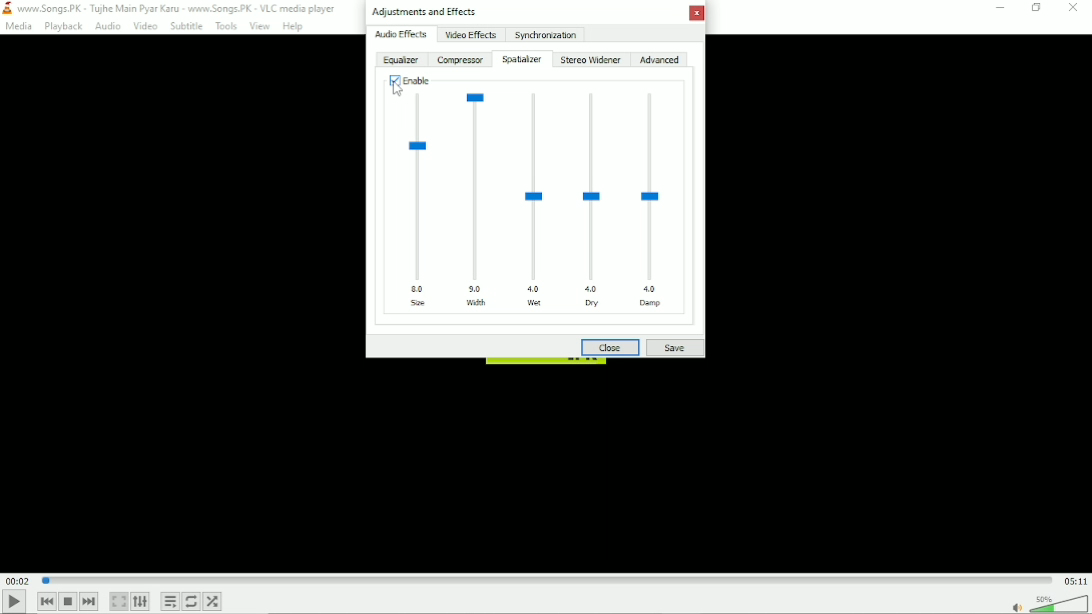 Image resolution: width=1092 pixels, height=614 pixels. I want to click on View, so click(260, 27).